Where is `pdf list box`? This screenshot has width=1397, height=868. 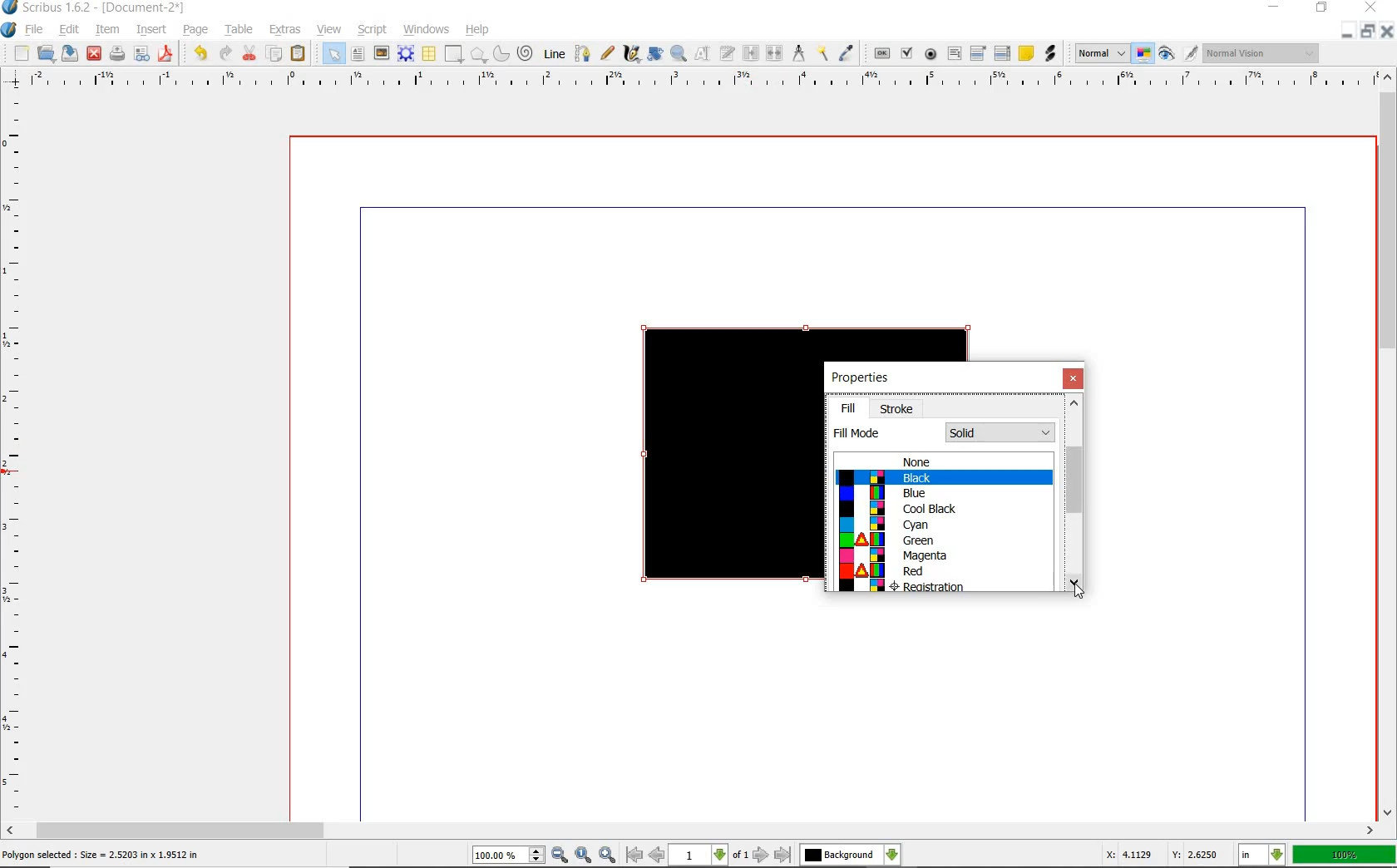
pdf list box is located at coordinates (1003, 52).